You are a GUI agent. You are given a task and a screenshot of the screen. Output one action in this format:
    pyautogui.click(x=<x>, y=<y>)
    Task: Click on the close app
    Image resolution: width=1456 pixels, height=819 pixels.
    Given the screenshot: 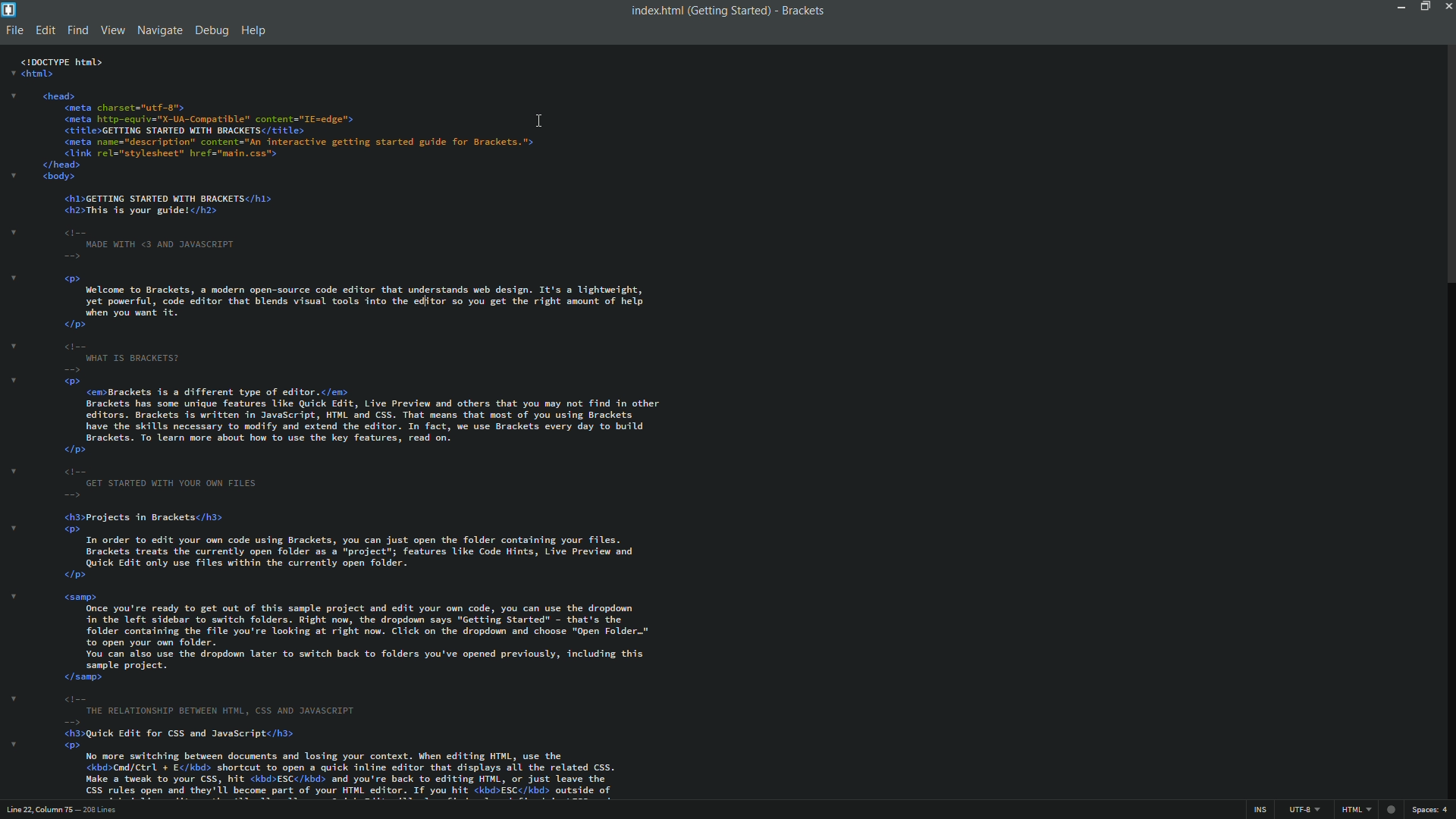 What is the action you would take?
    pyautogui.click(x=1447, y=6)
    